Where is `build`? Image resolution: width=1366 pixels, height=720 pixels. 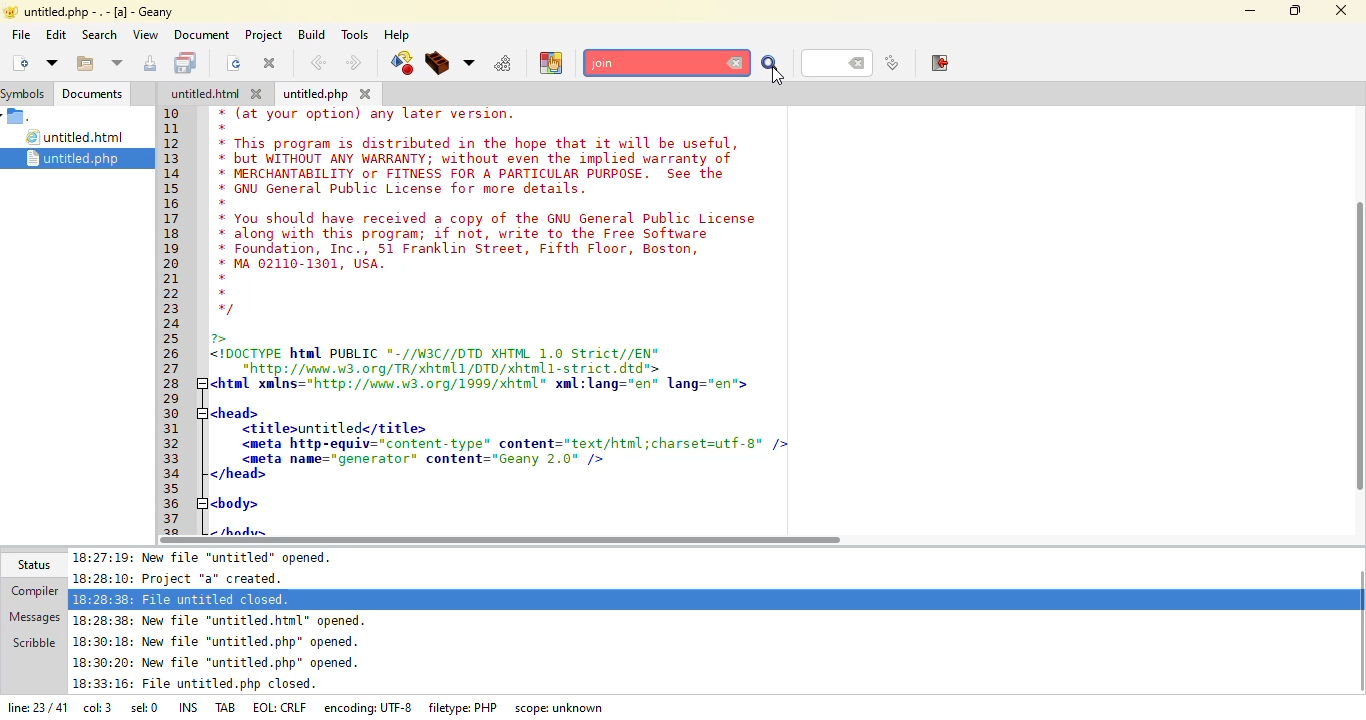 build is located at coordinates (309, 34).